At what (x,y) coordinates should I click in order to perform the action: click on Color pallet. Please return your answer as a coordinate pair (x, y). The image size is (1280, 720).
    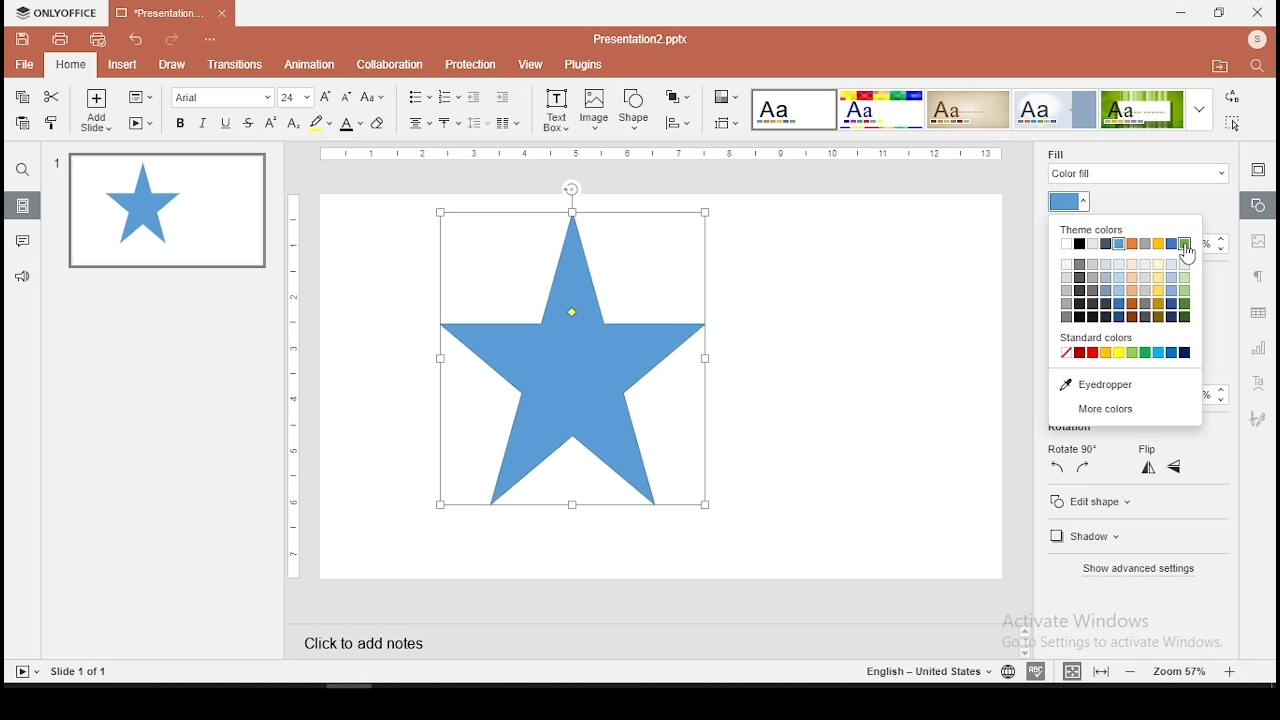
    Looking at the image, I should click on (1128, 293).